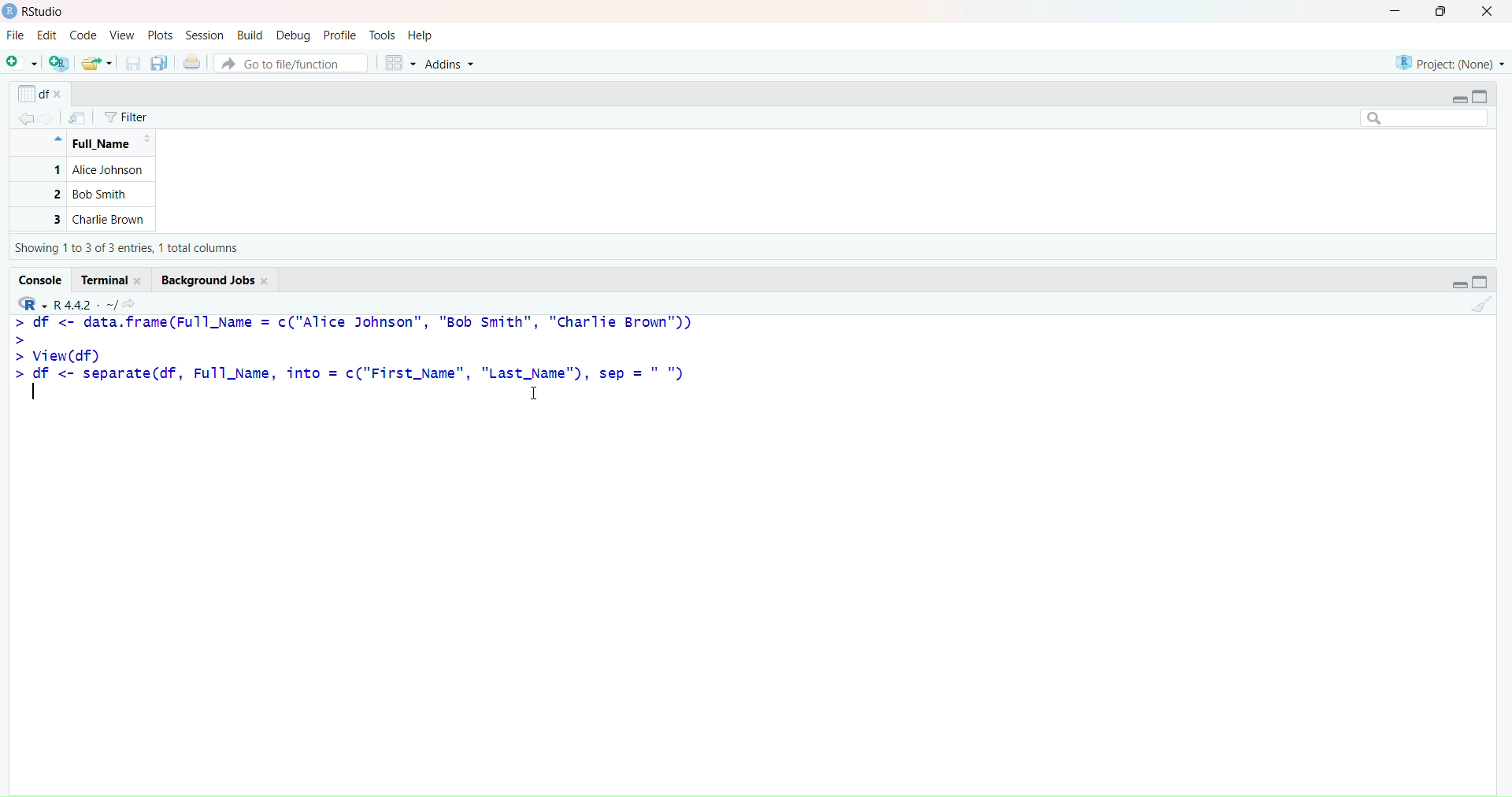 This screenshot has width=1512, height=797. Describe the element at coordinates (1422, 119) in the screenshot. I see `Search bar` at that location.